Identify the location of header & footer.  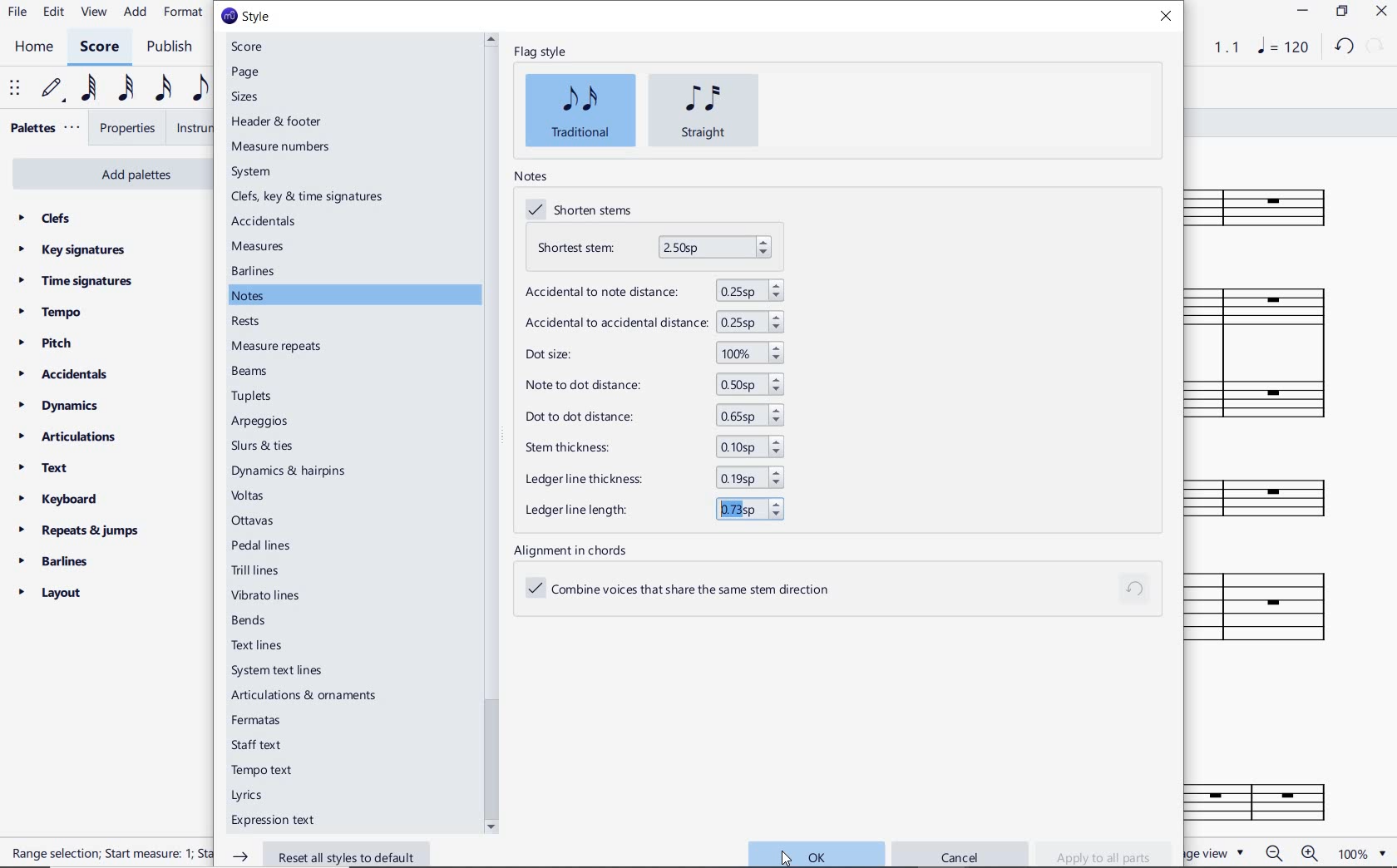
(280, 121).